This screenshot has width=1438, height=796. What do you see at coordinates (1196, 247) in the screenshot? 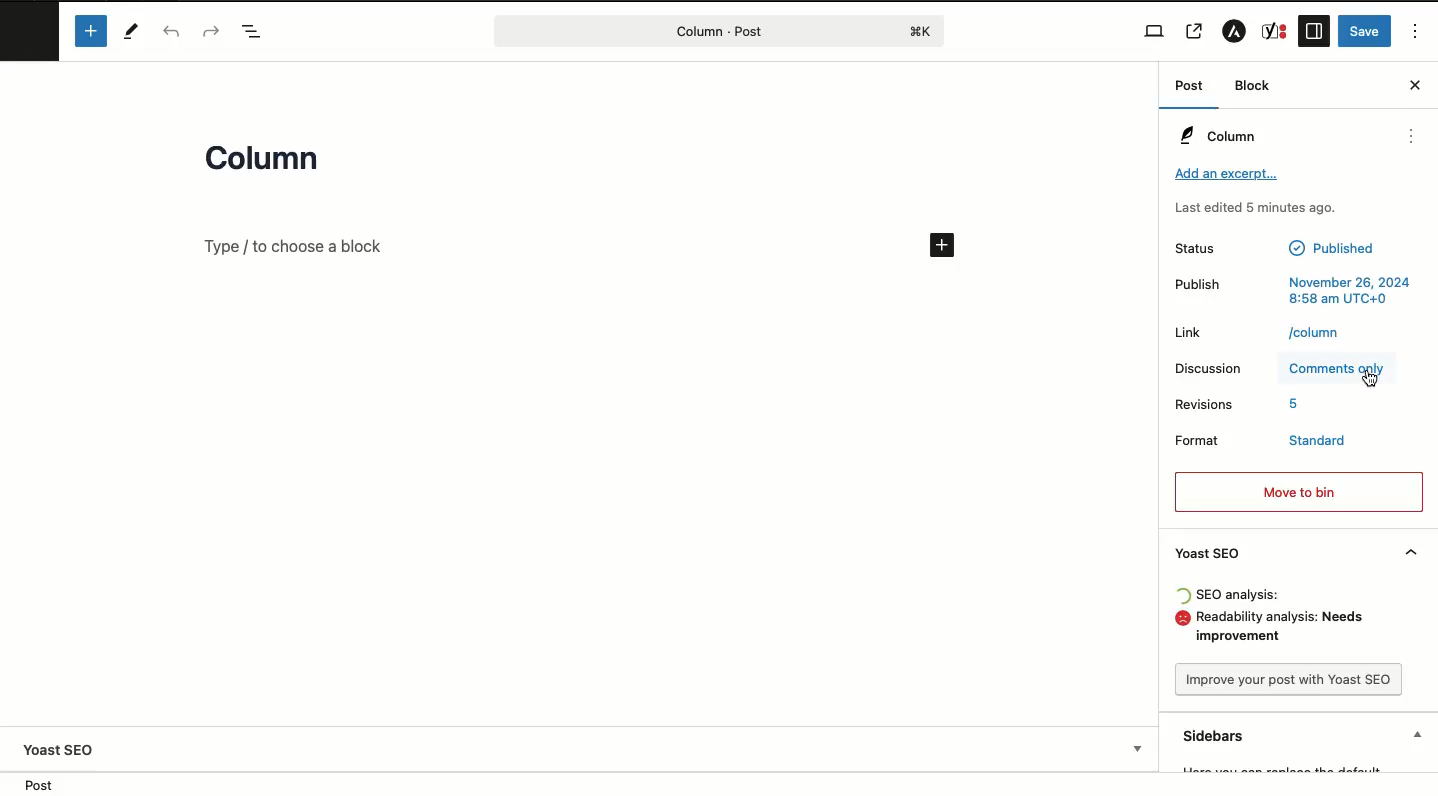
I see `Status` at bounding box center [1196, 247].